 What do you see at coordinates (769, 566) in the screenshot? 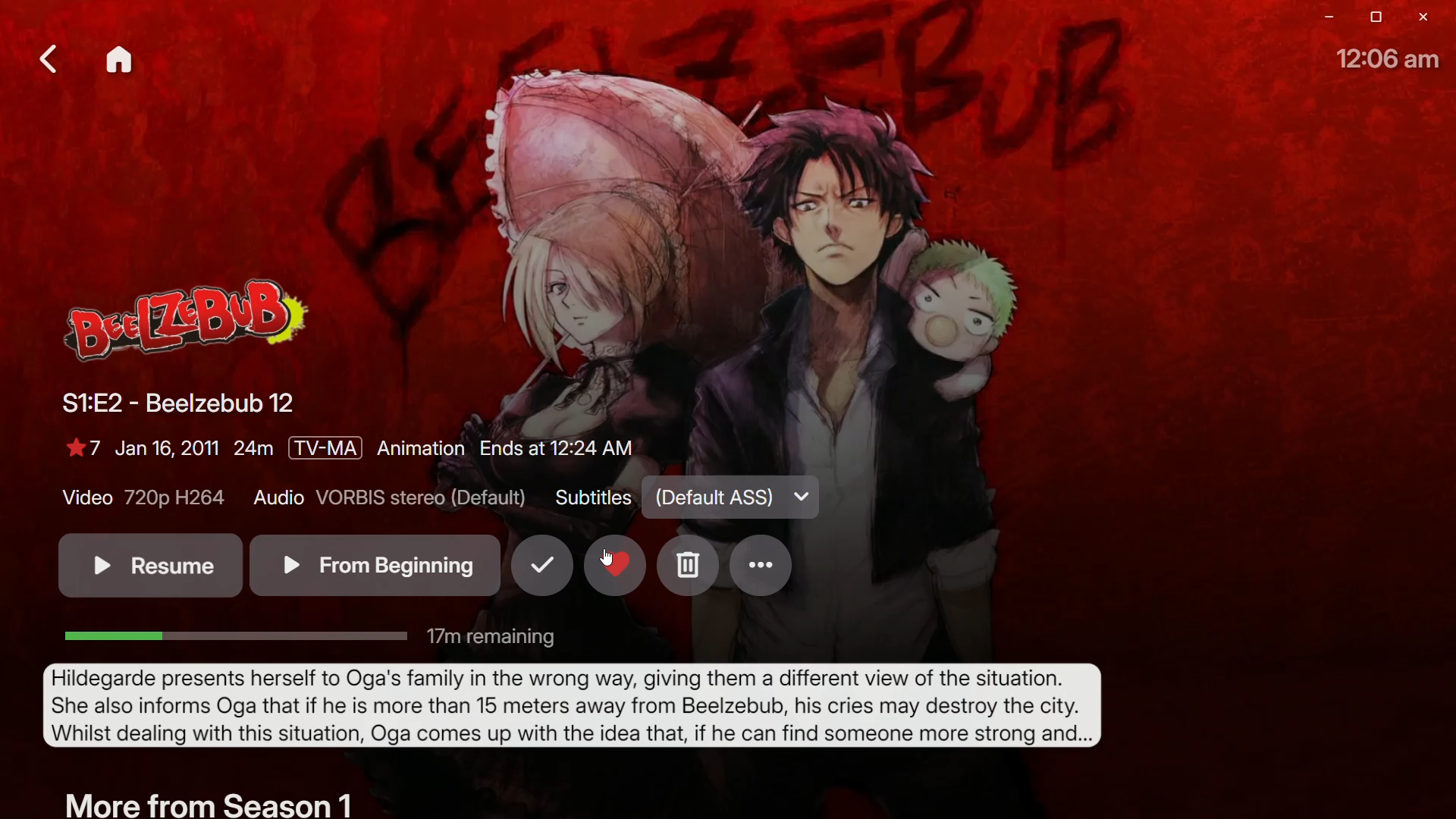
I see `Options` at bounding box center [769, 566].